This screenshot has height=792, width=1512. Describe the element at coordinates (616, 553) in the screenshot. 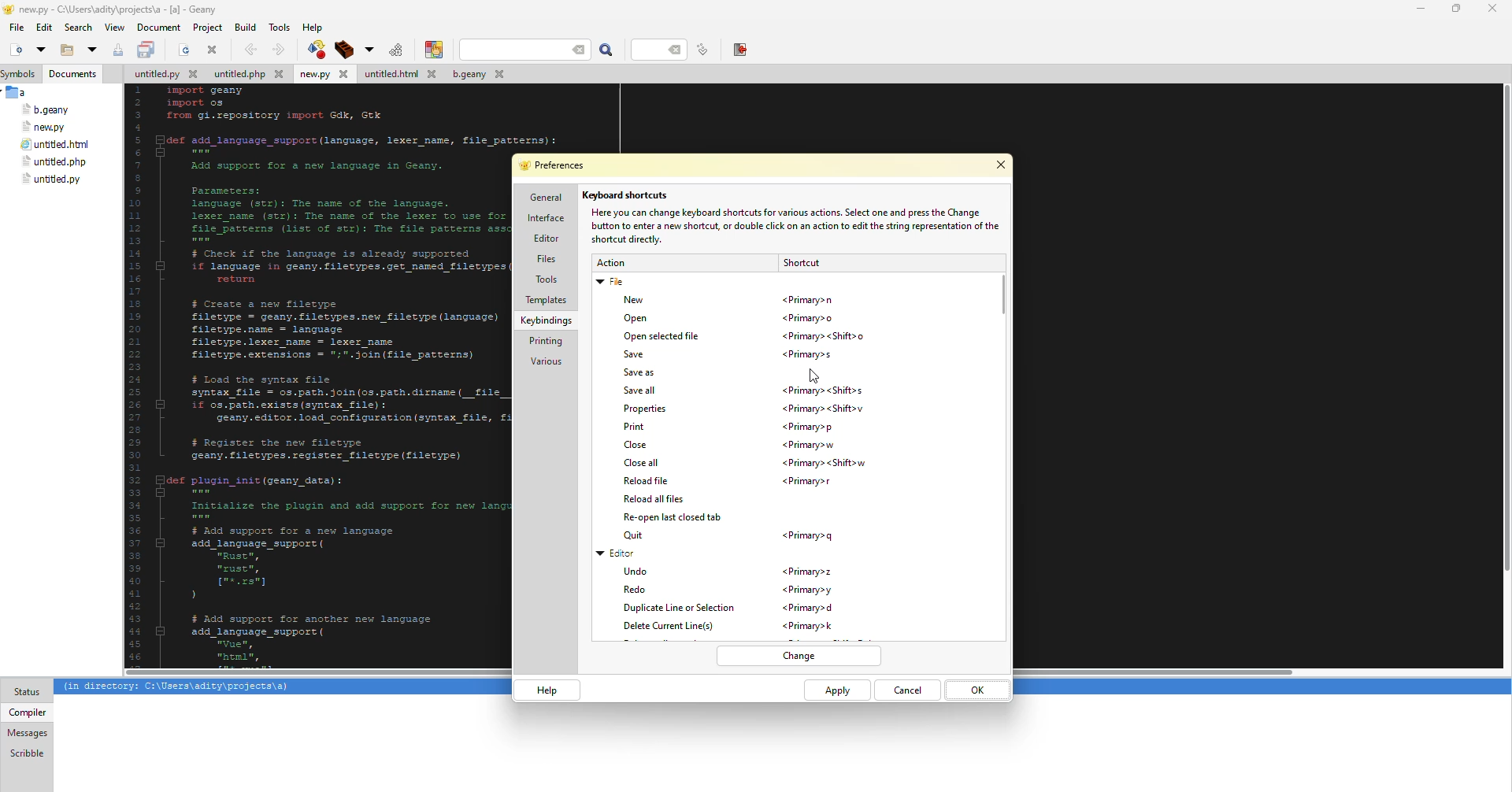

I see `editor` at that location.